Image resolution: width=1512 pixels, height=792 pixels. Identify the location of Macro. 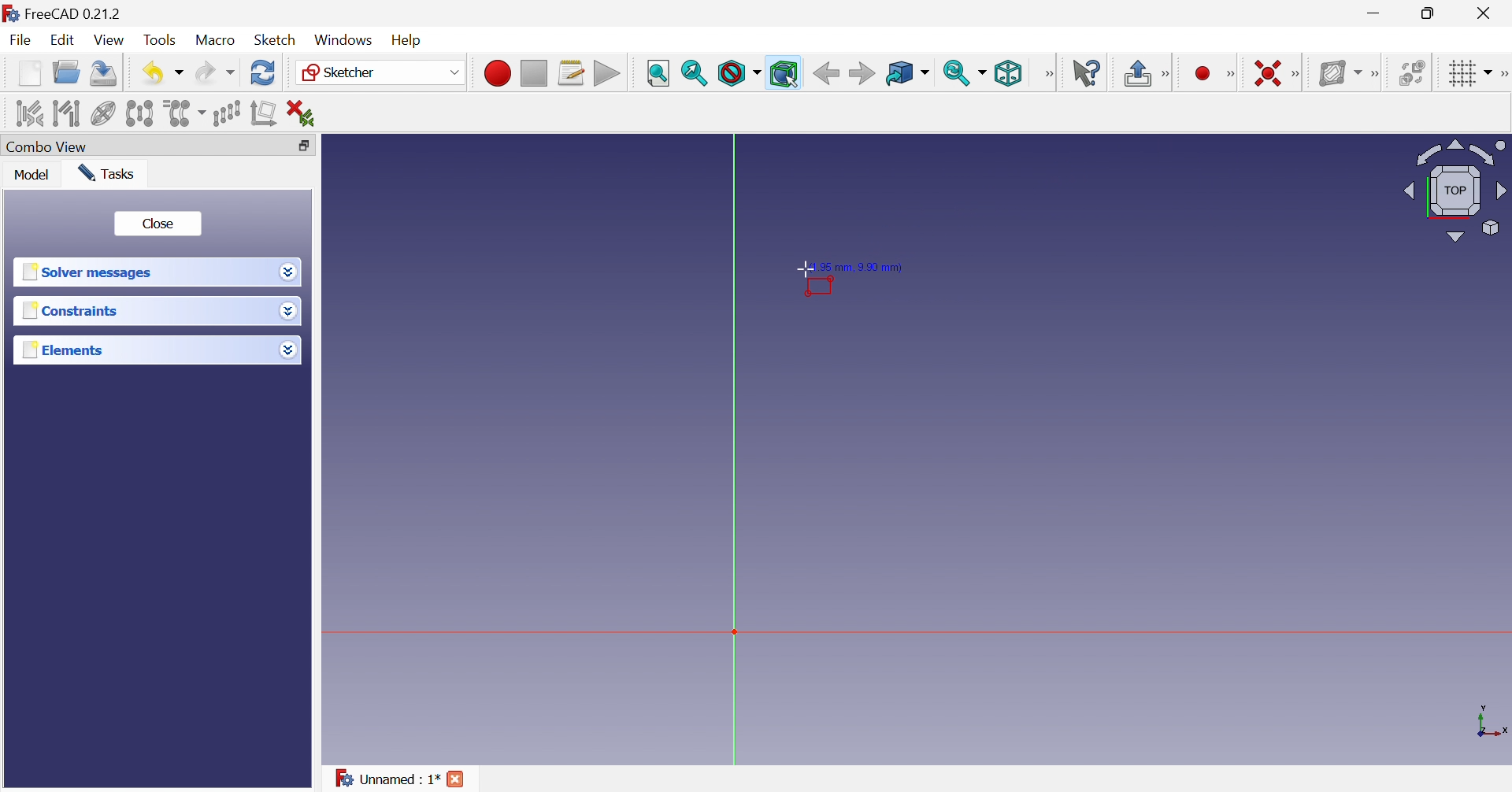
(213, 40).